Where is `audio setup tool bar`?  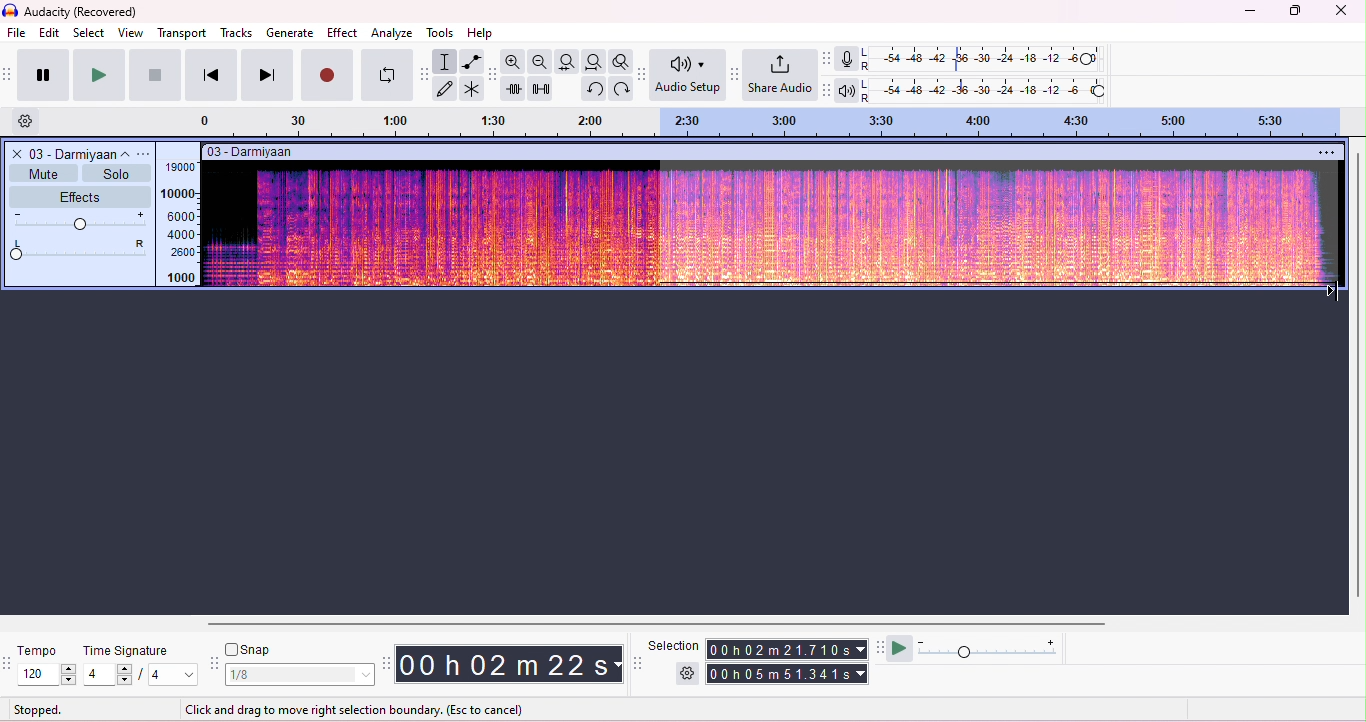 audio setup tool bar is located at coordinates (640, 74).